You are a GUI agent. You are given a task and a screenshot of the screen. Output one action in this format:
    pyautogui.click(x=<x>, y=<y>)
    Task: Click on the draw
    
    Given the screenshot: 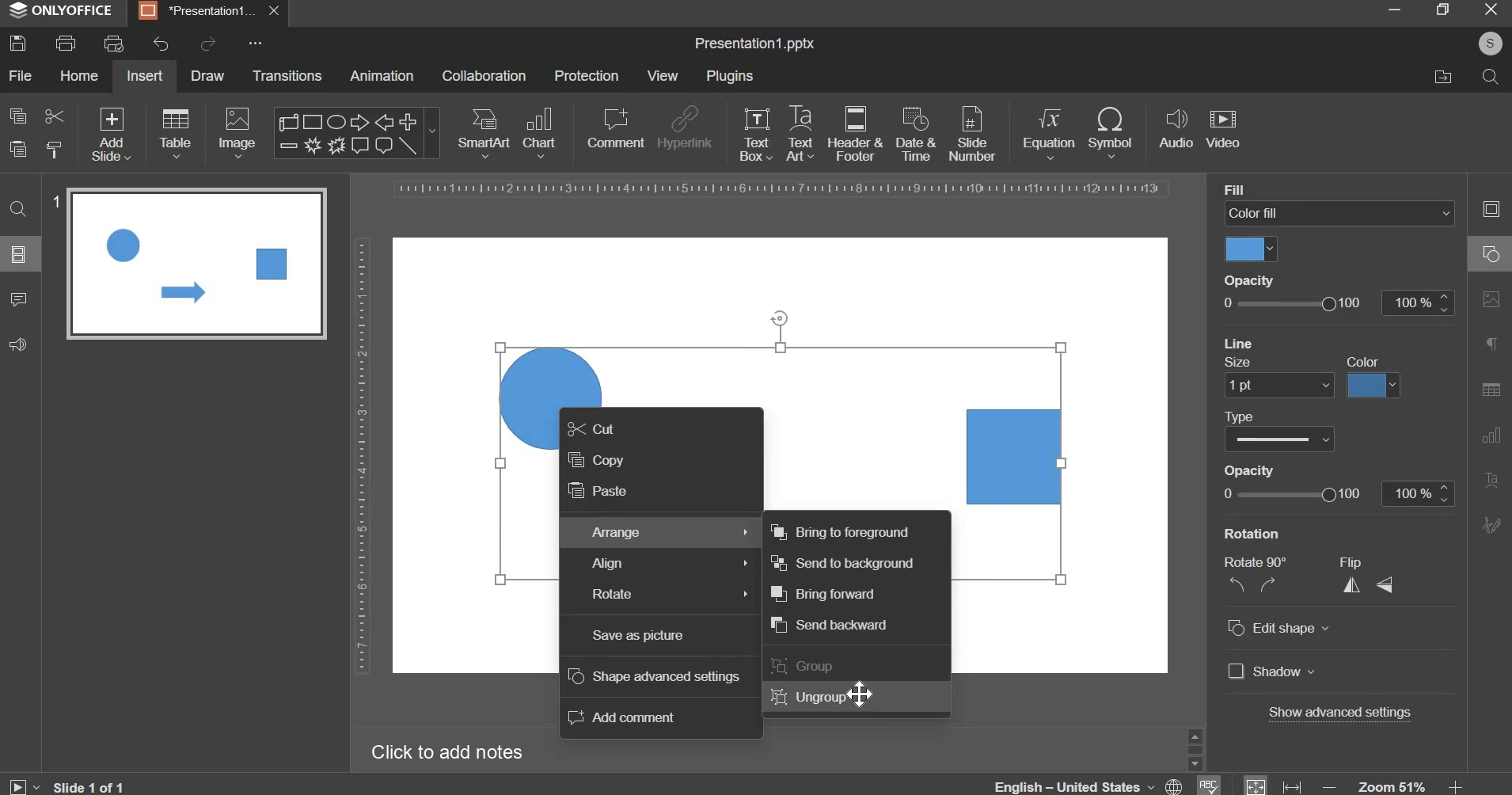 What is the action you would take?
    pyautogui.click(x=209, y=74)
    